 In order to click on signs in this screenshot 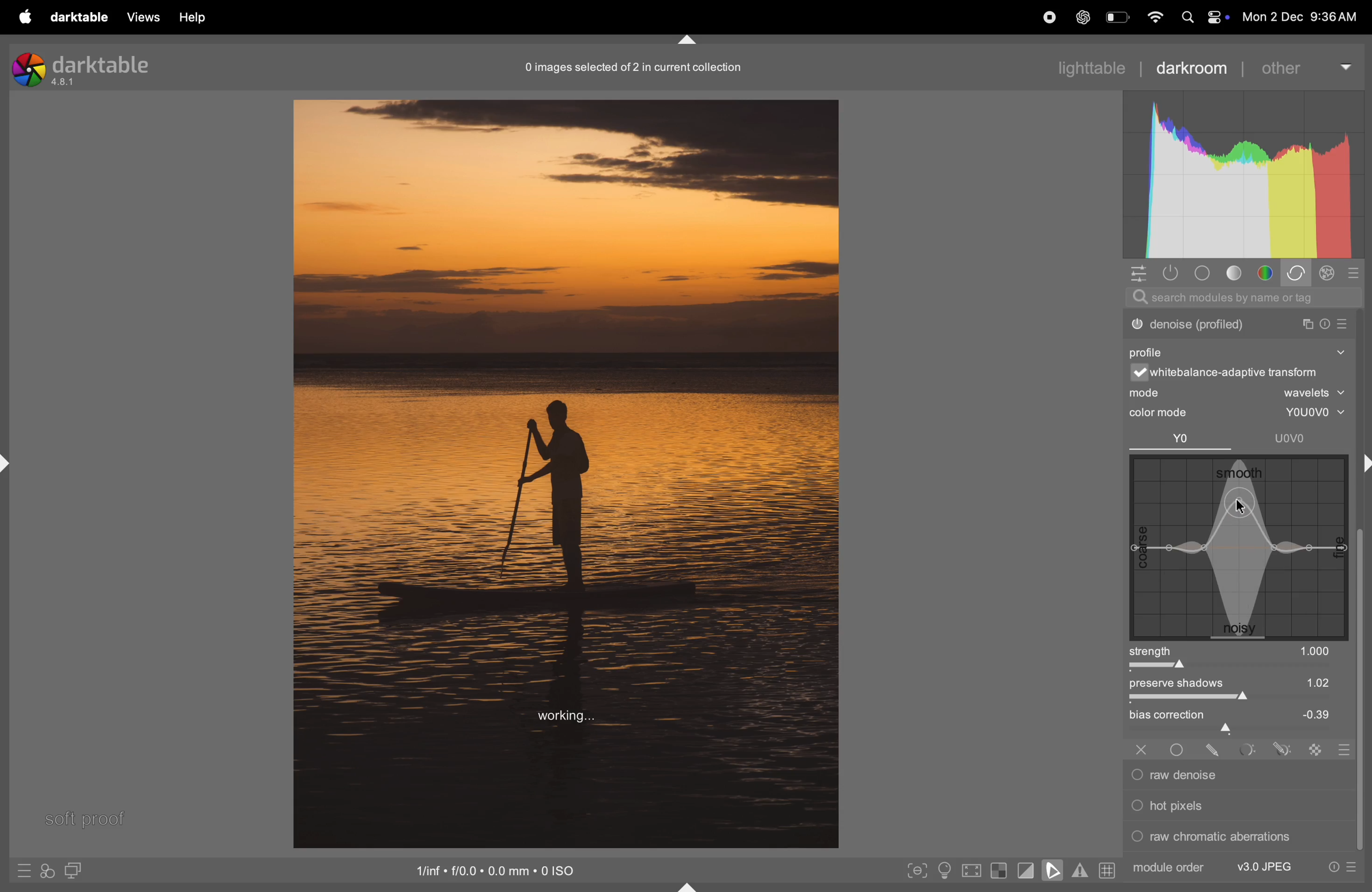, I will do `click(1341, 751)`.